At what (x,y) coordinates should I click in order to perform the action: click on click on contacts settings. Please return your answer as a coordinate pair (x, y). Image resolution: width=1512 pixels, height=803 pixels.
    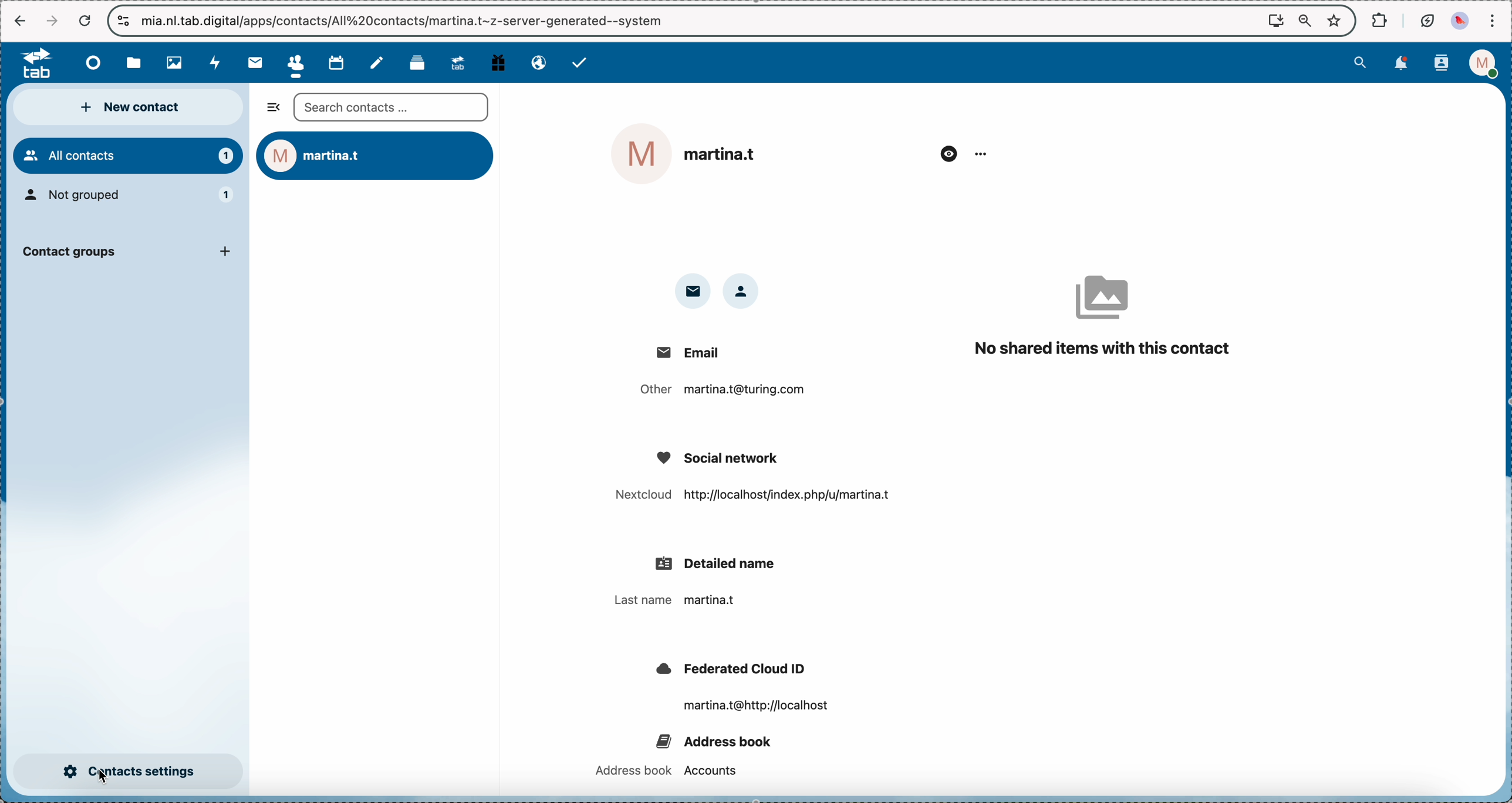
    Looking at the image, I should click on (129, 772).